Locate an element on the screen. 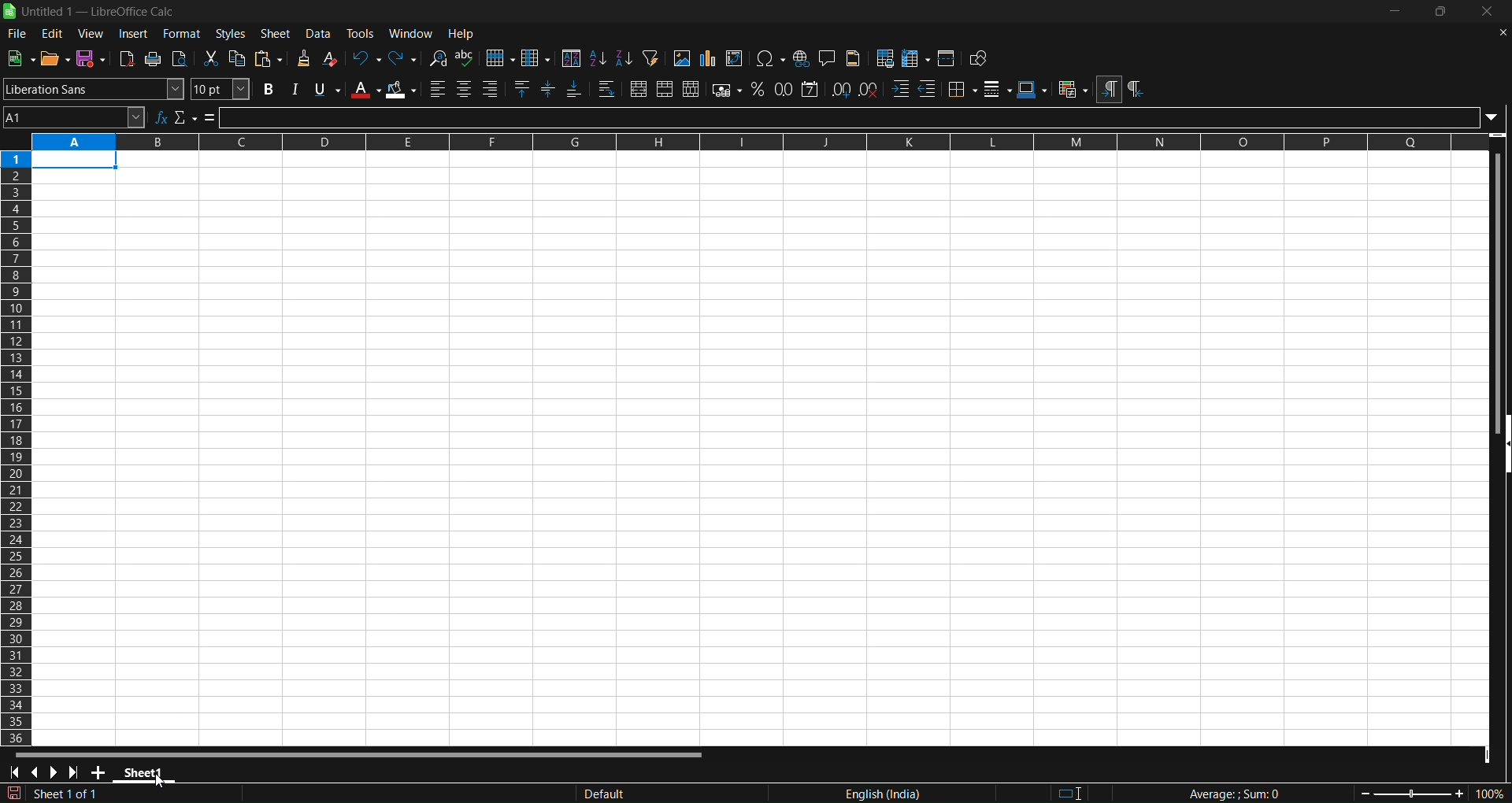  increase indent is located at coordinates (900, 90).